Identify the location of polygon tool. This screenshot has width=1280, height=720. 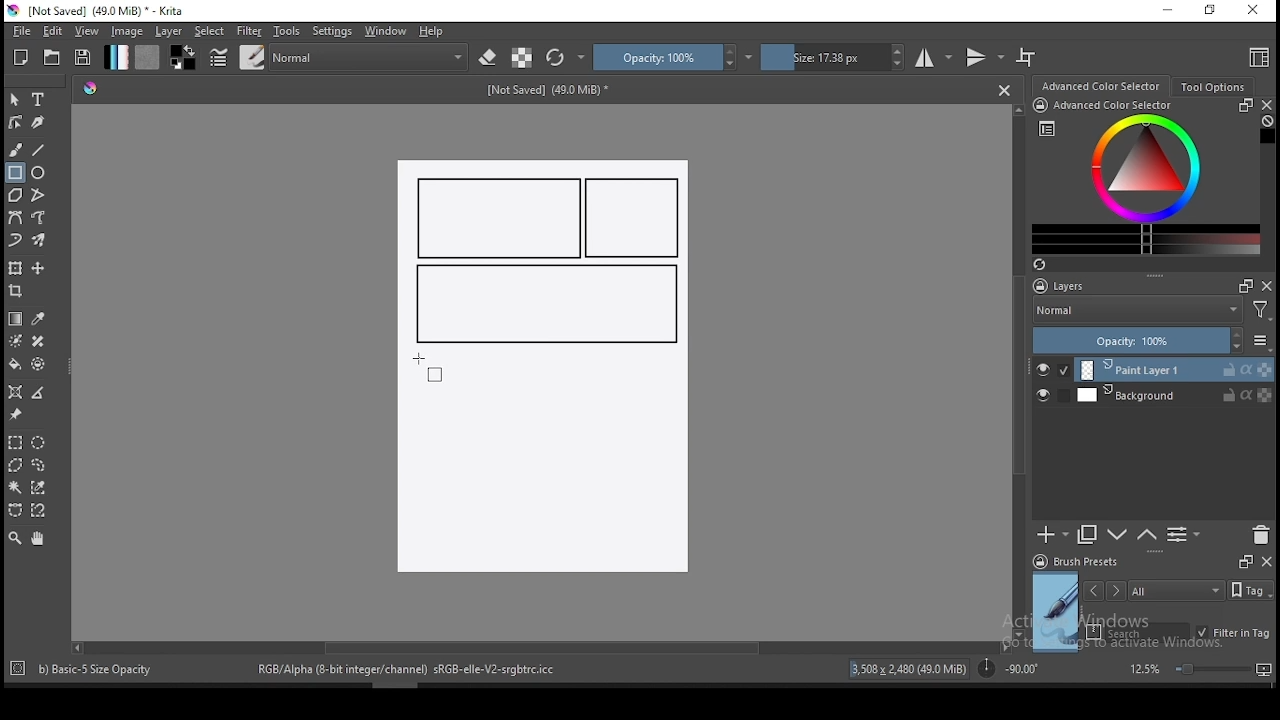
(14, 195).